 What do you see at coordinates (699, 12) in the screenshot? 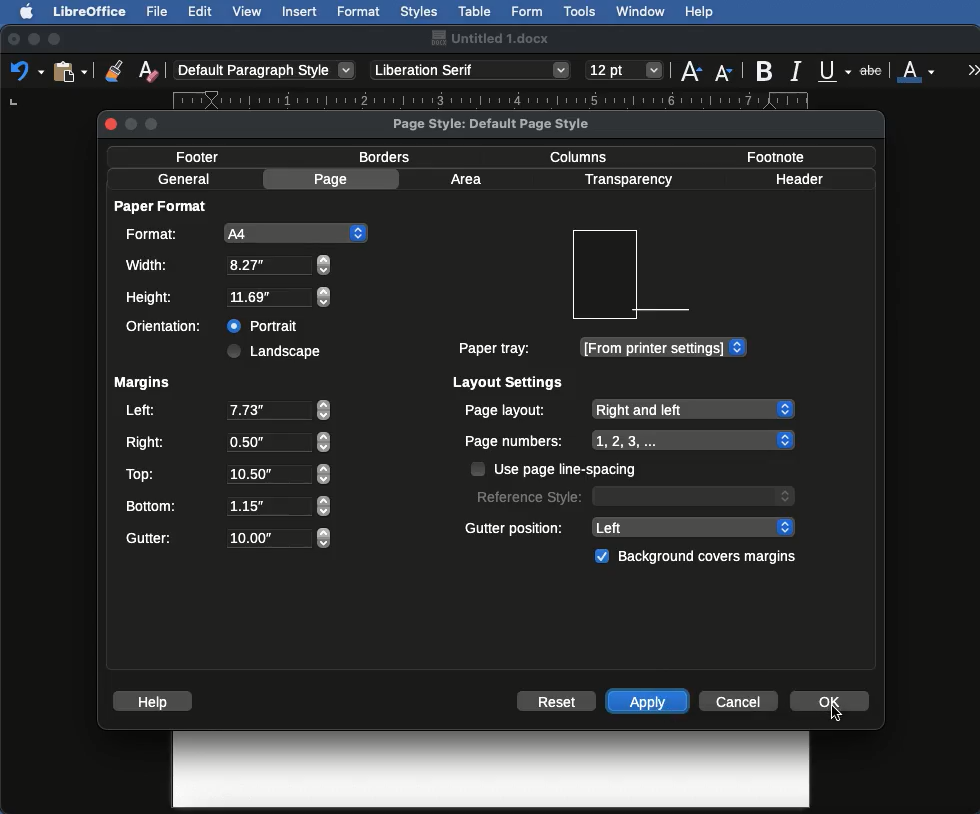
I see `Help` at bounding box center [699, 12].